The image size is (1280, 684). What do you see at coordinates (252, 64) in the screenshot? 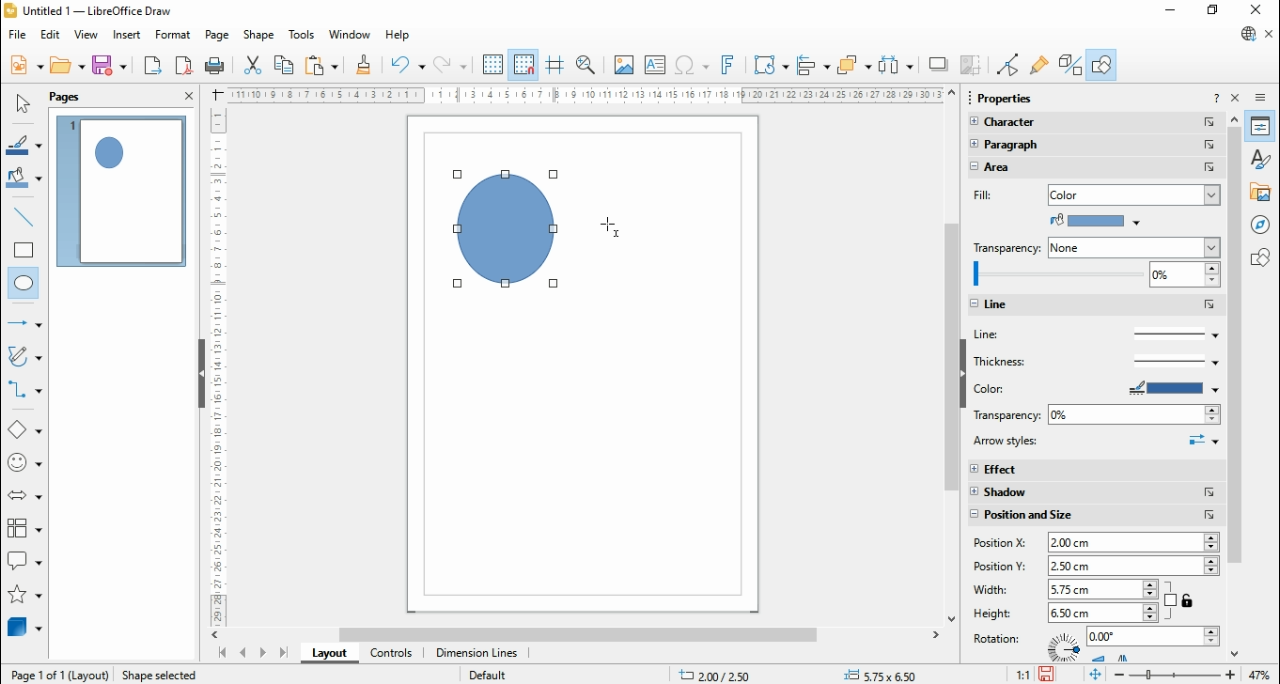
I see `cut` at bounding box center [252, 64].